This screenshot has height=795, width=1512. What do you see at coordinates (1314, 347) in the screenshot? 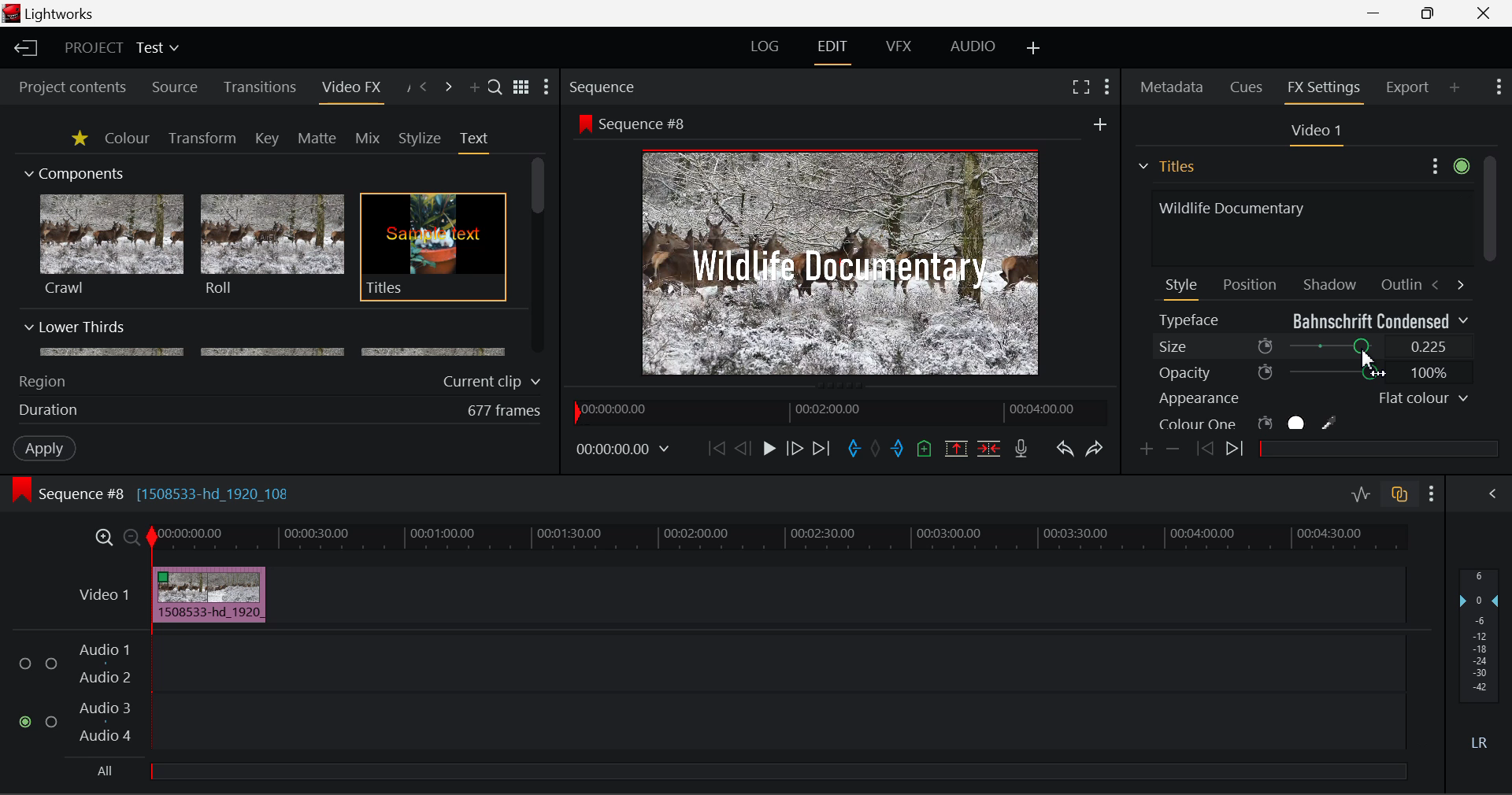
I see `Size` at bounding box center [1314, 347].